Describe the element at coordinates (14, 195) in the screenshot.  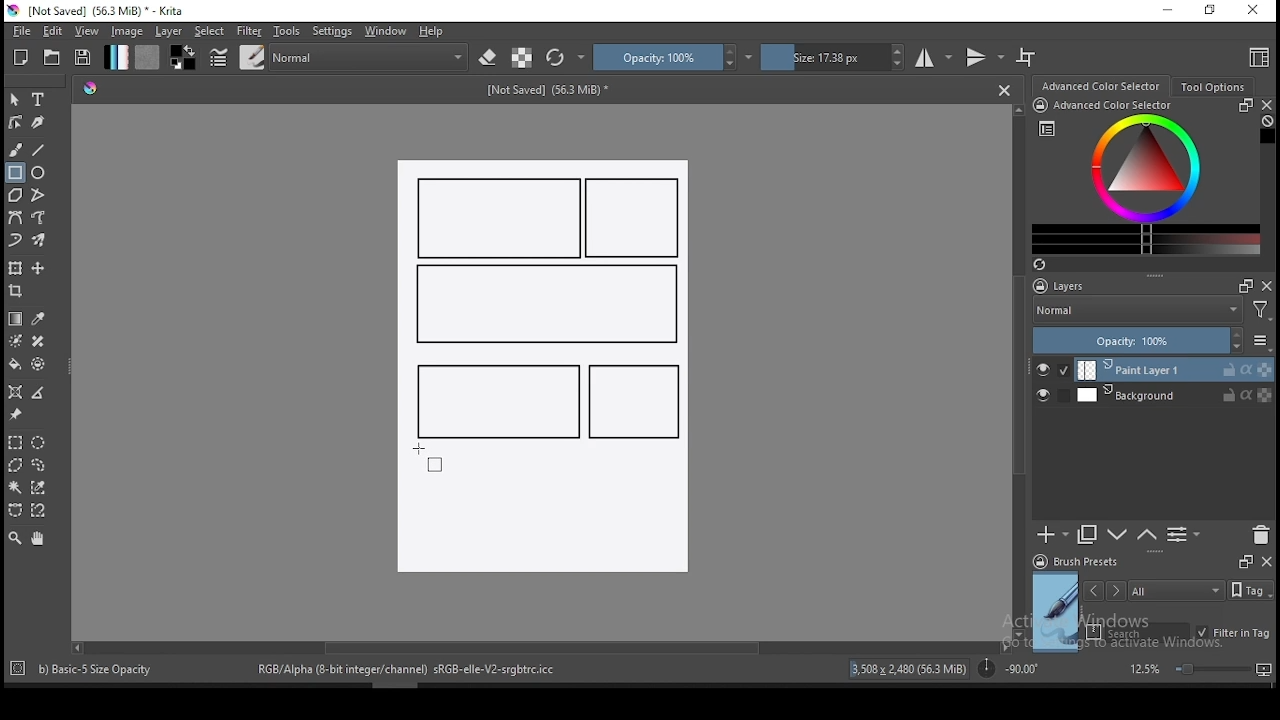
I see `polygon tool` at that location.